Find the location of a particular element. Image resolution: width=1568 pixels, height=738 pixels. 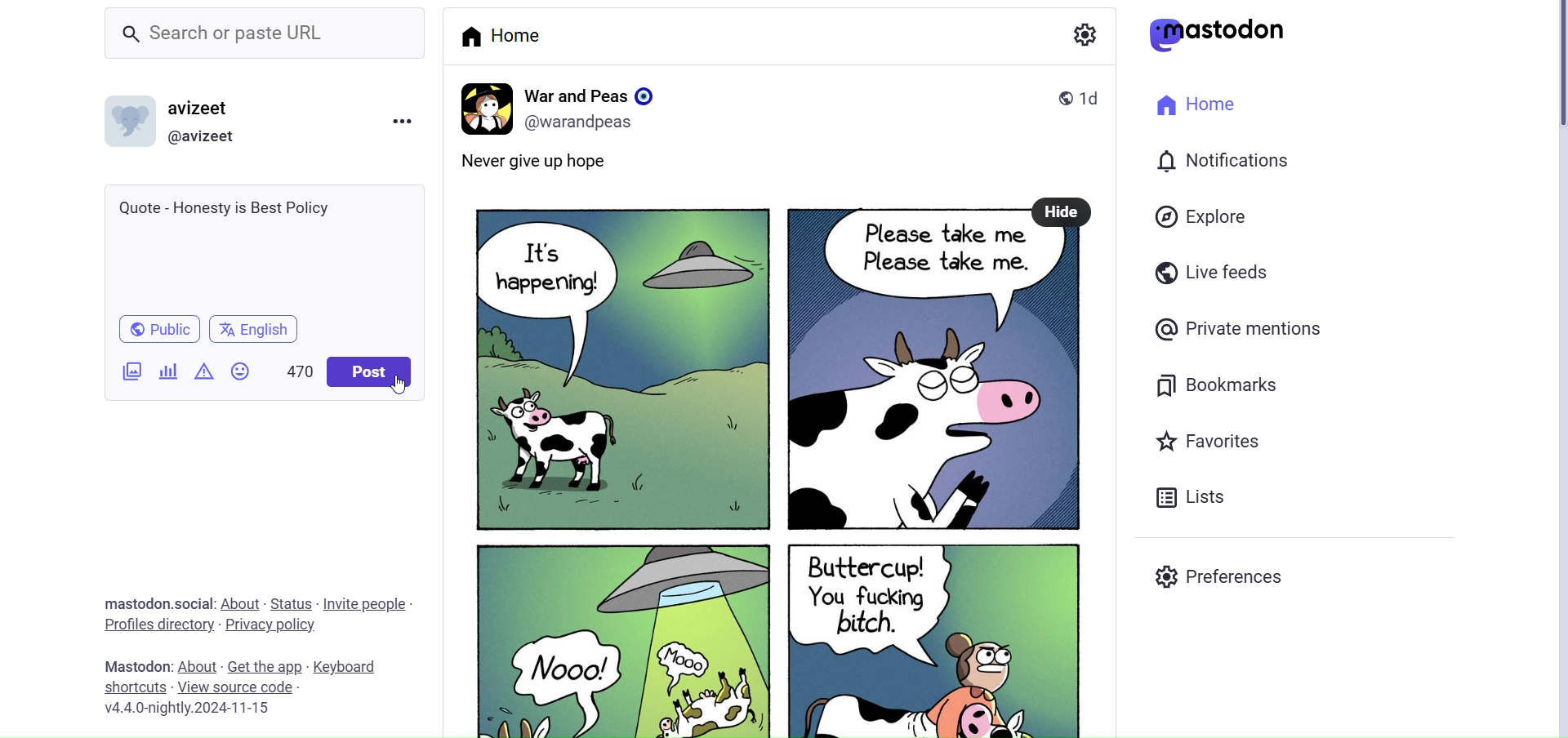

Content Warning is located at coordinates (200, 371).